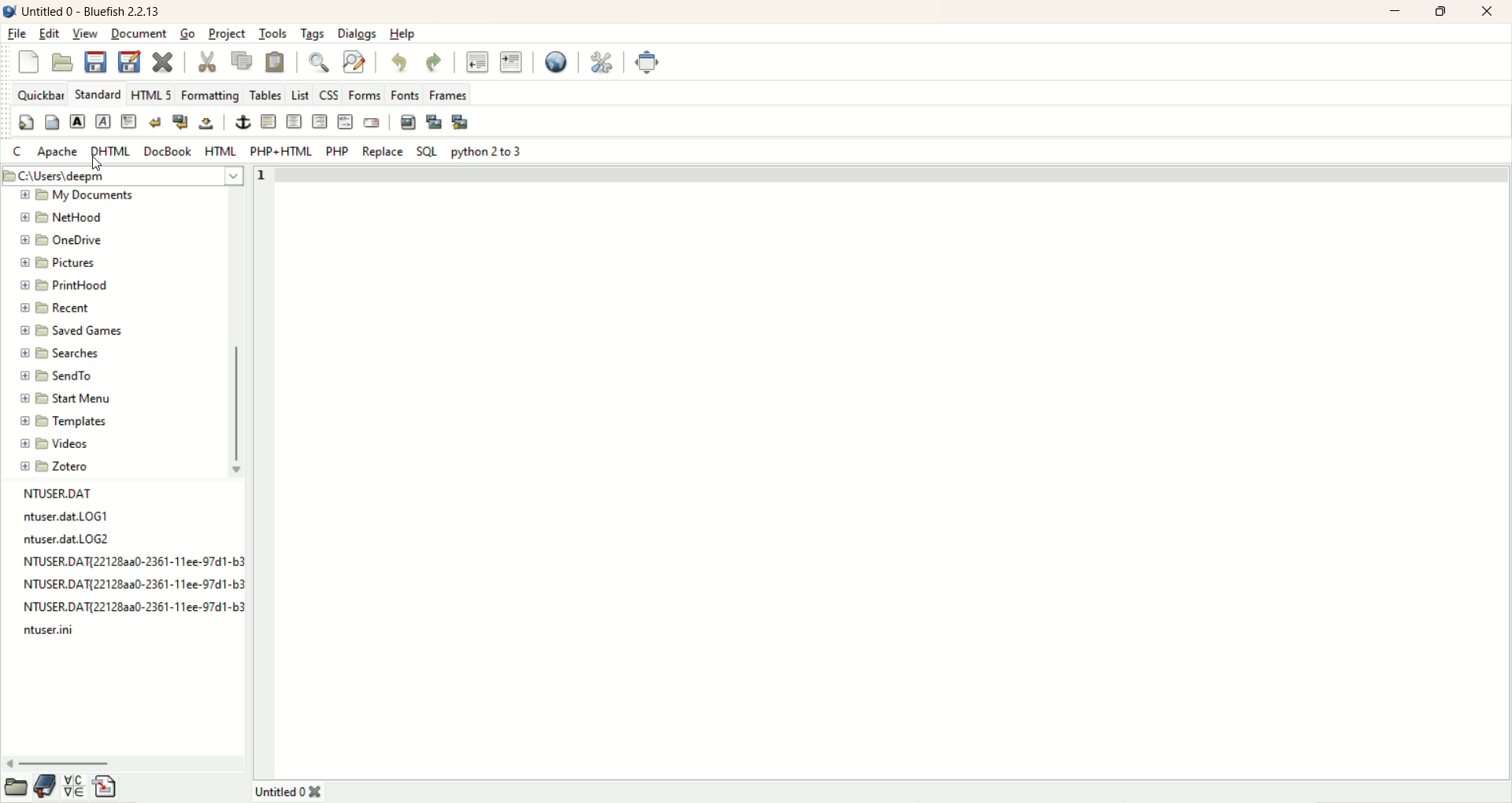 This screenshot has height=803, width=1512. I want to click on open, so click(14, 790).